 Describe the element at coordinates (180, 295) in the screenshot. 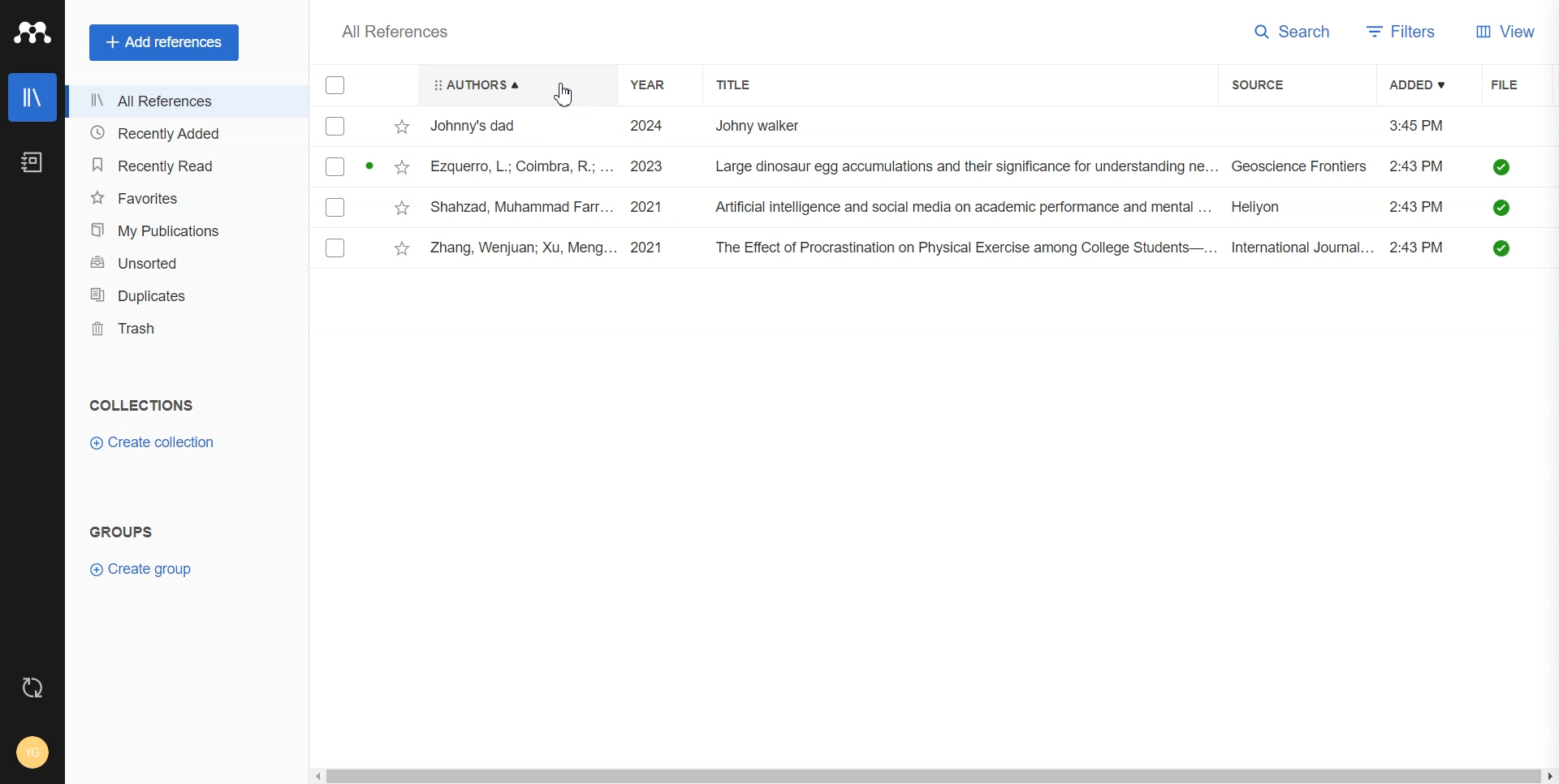

I see `Duplicates` at that location.